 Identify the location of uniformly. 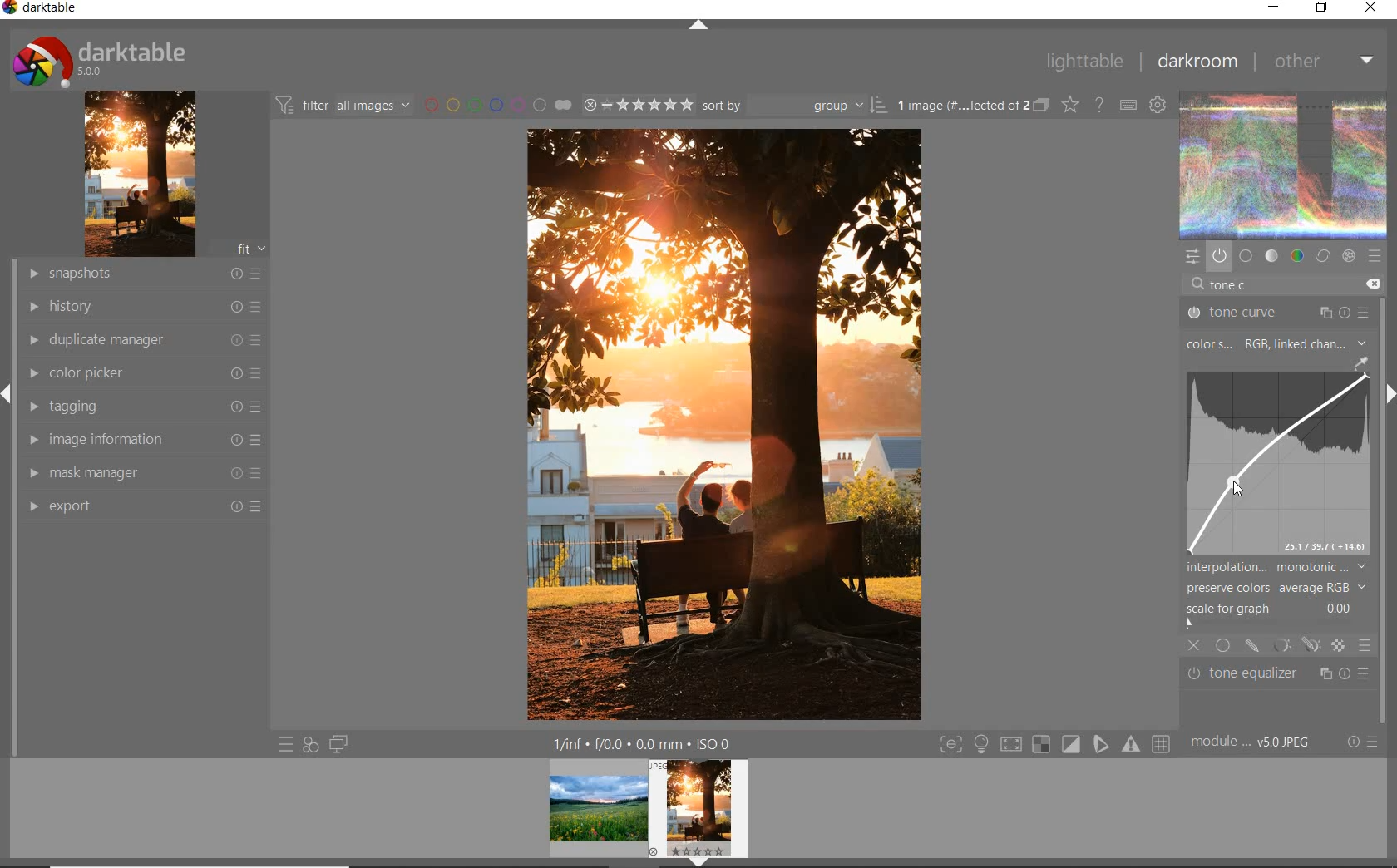
(1222, 645).